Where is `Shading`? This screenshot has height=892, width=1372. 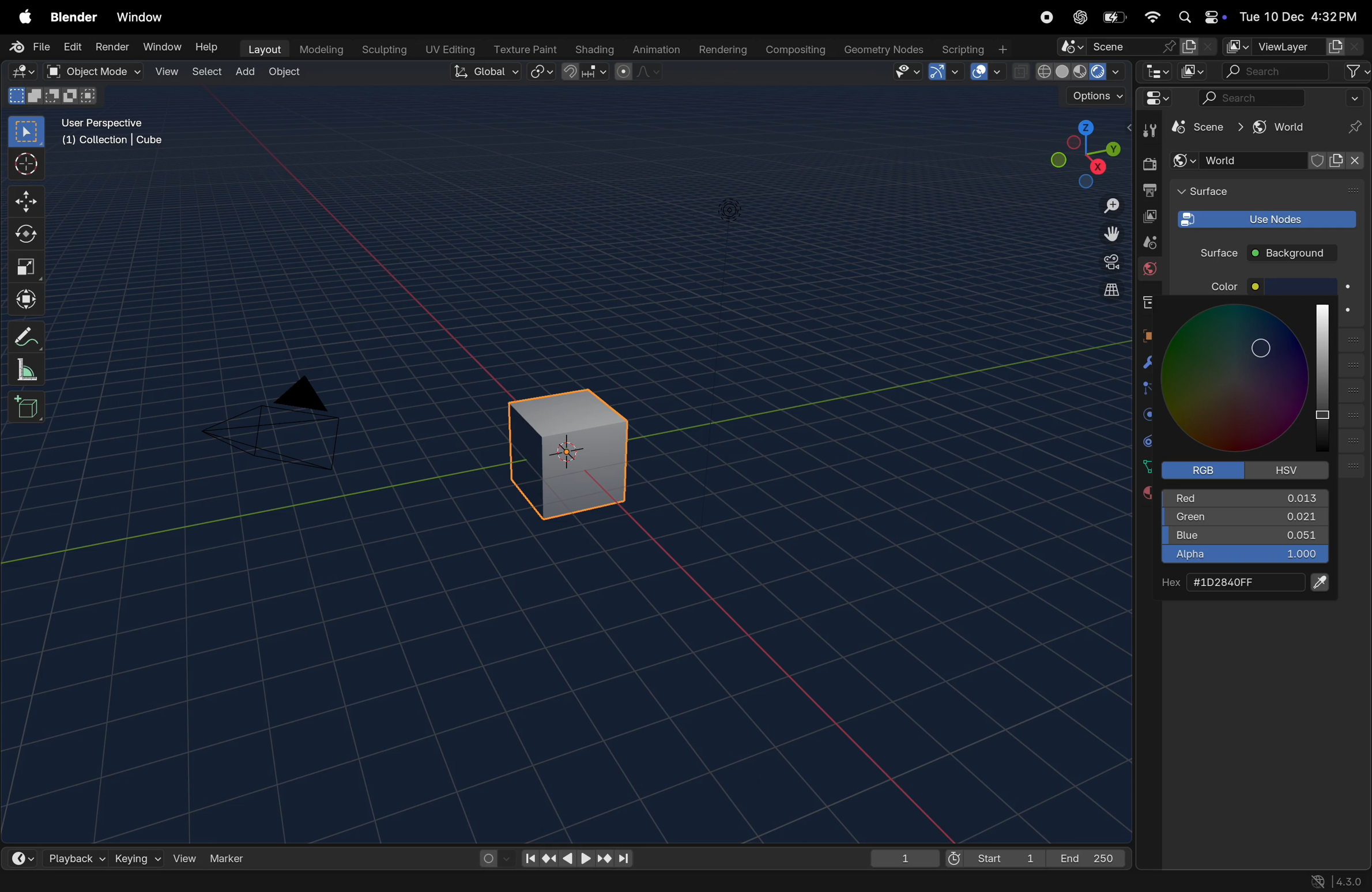 Shading is located at coordinates (592, 49).